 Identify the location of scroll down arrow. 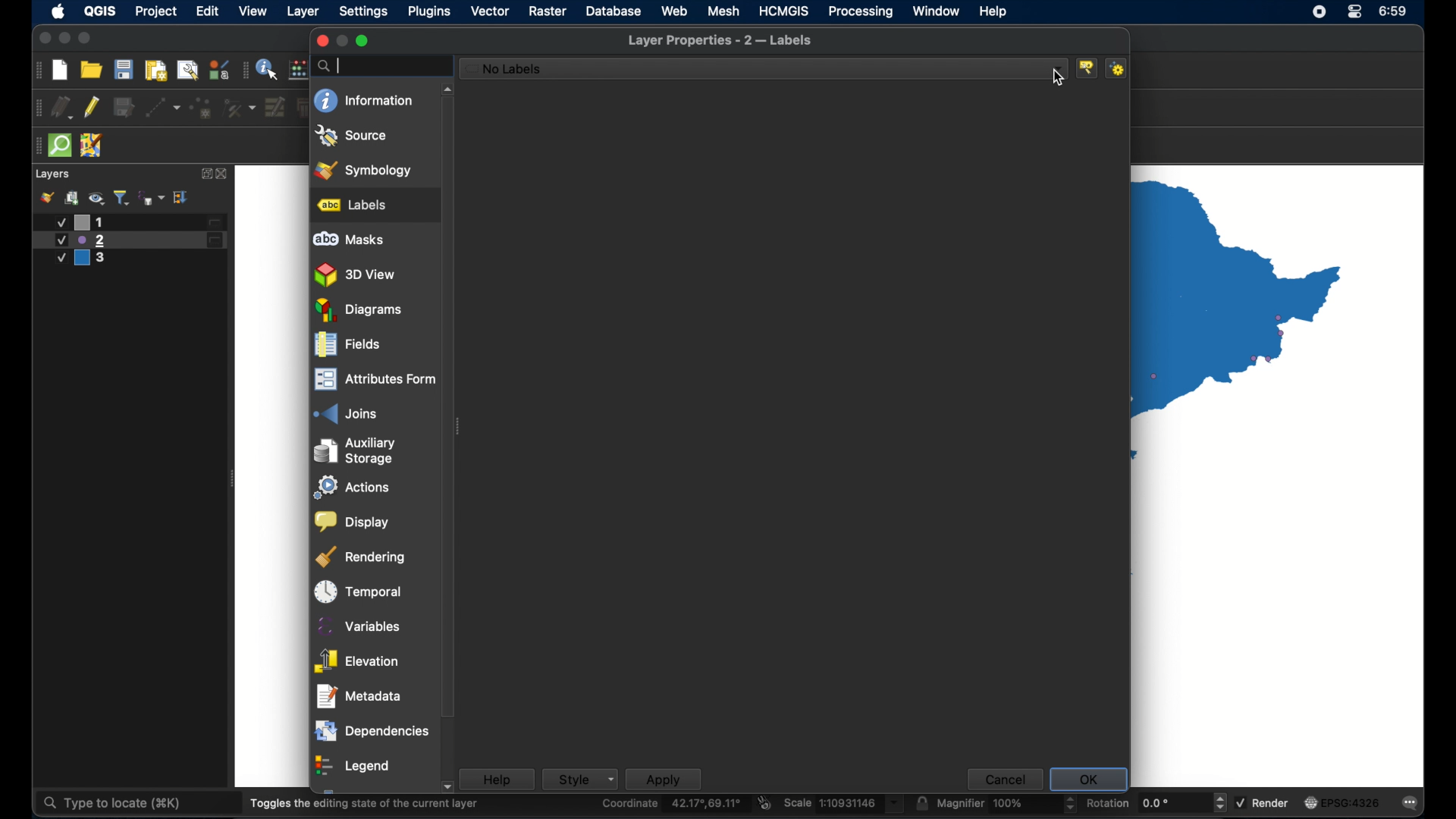
(446, 788).